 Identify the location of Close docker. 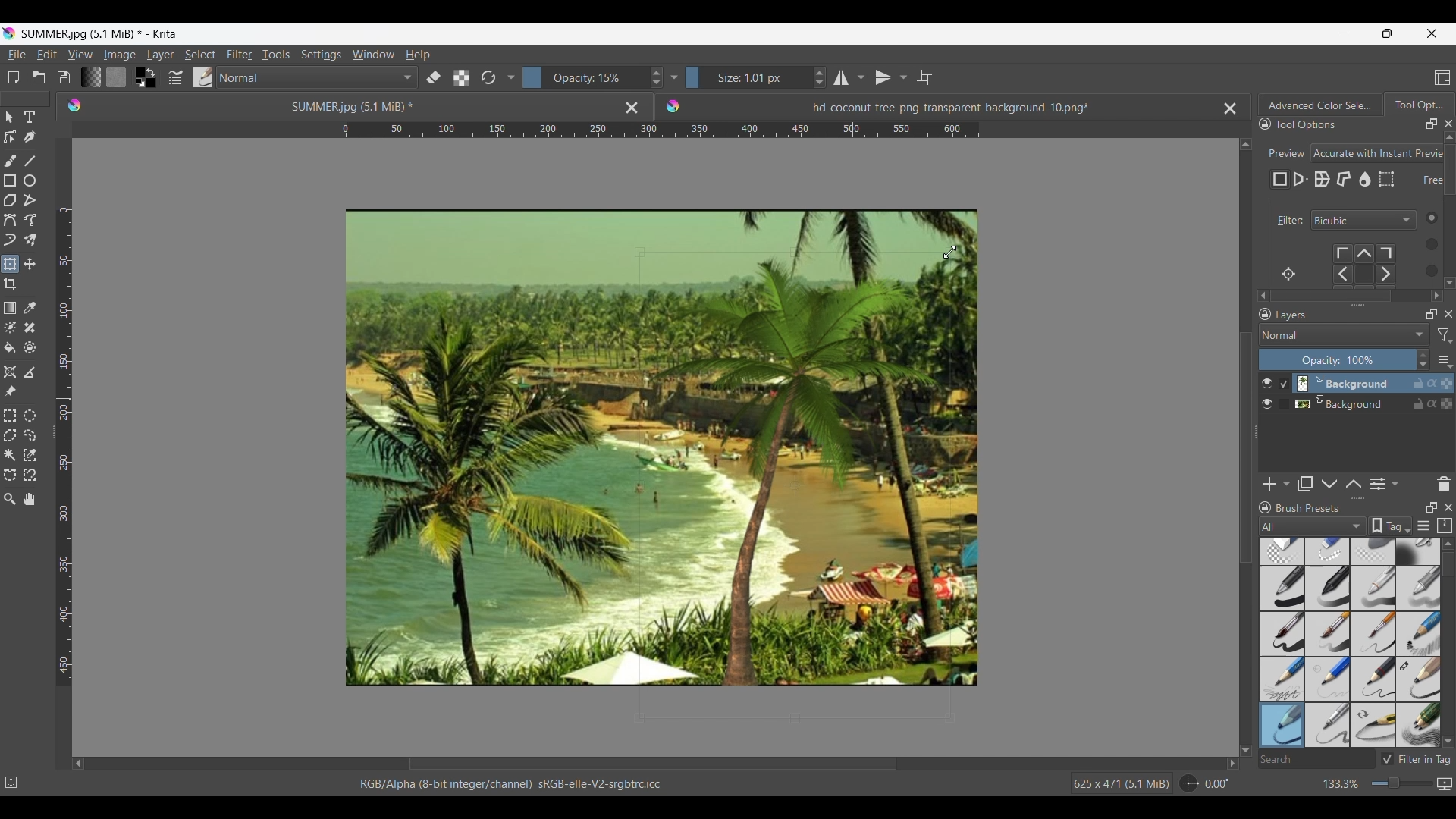
(1448, 124).